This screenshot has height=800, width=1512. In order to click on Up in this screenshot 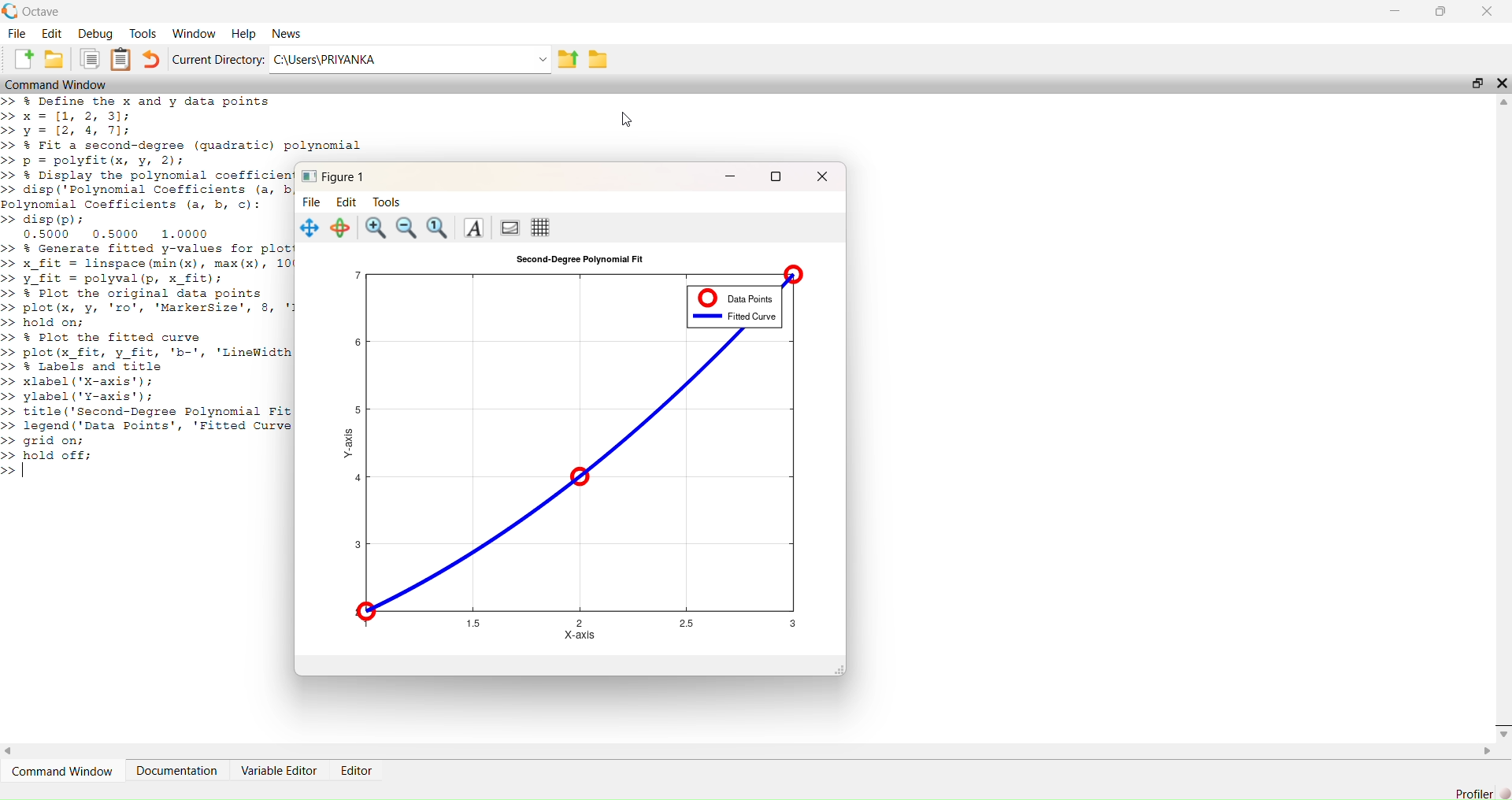, I will do `click(1503, 101)`.